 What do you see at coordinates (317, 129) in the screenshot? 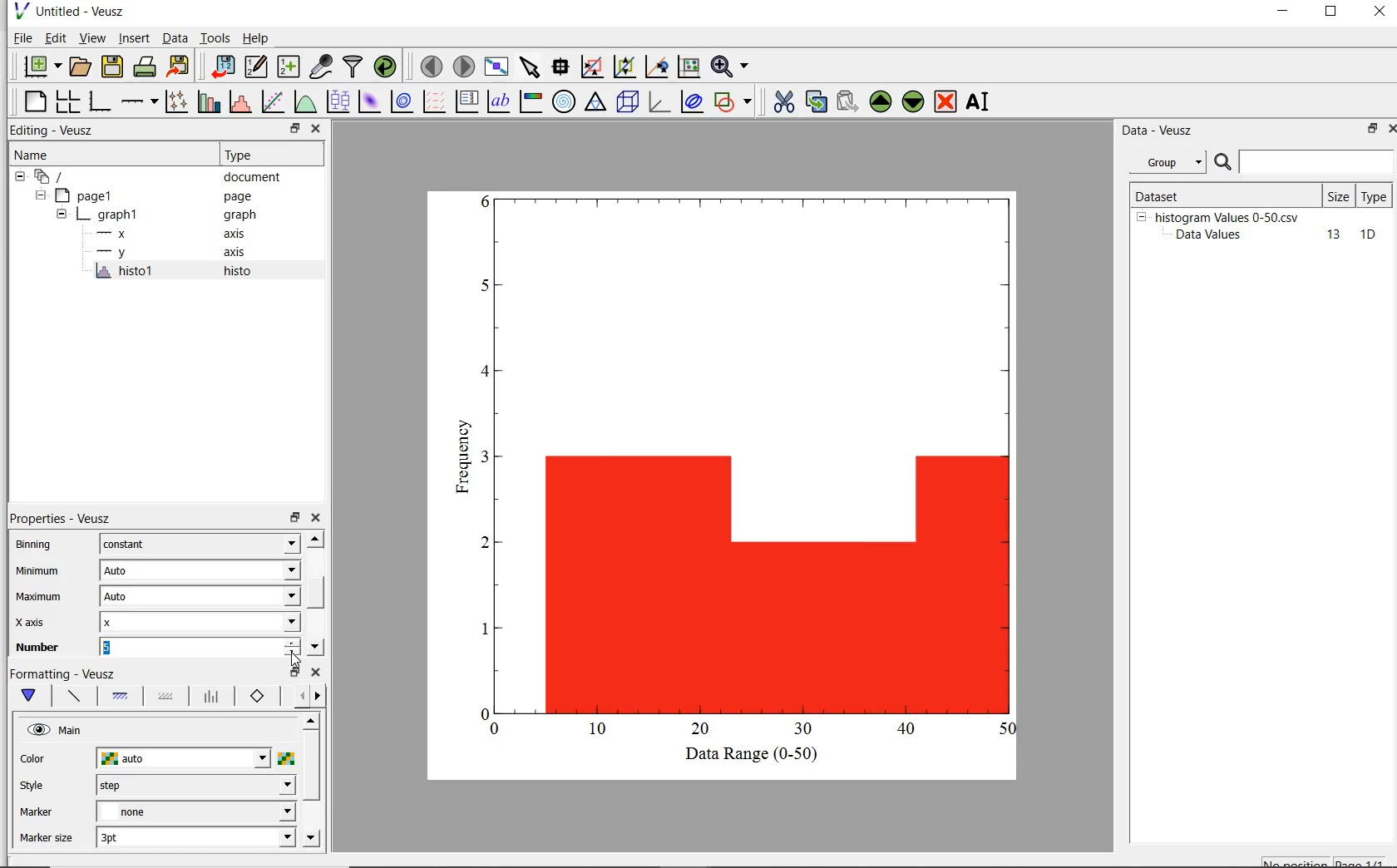
I see `close` at bounding box center [317, 129].